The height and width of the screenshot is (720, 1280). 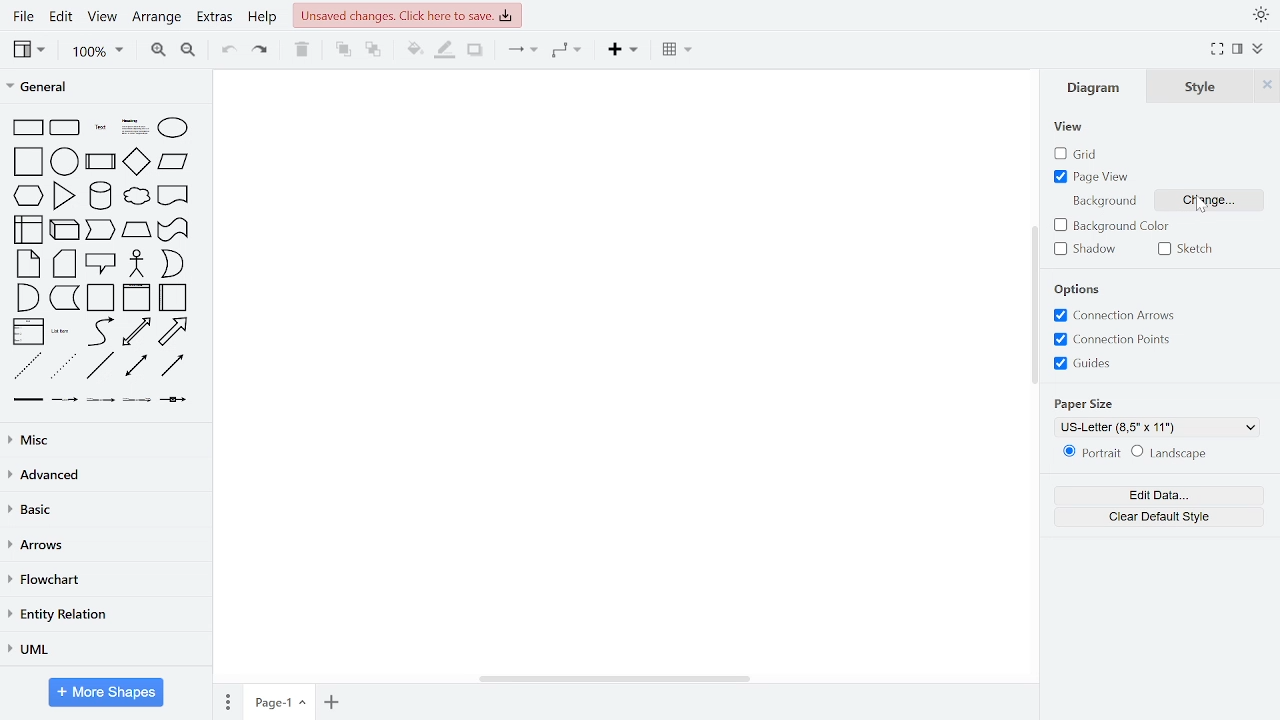 I want to click on basic, so click(x=105, y=510).